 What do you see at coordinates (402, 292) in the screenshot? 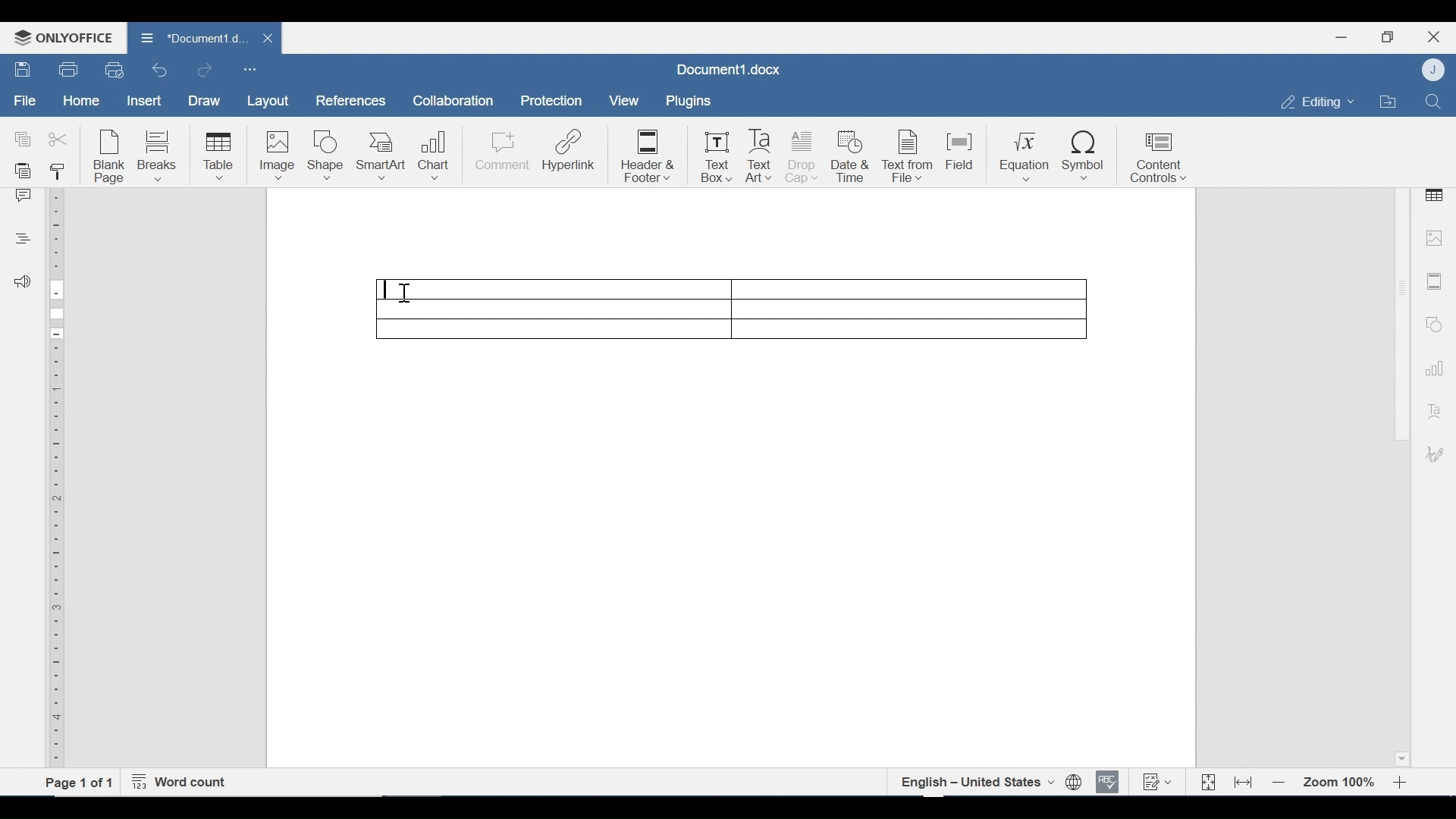
I see `Insertion cursor` at bounding box center [402, 292].